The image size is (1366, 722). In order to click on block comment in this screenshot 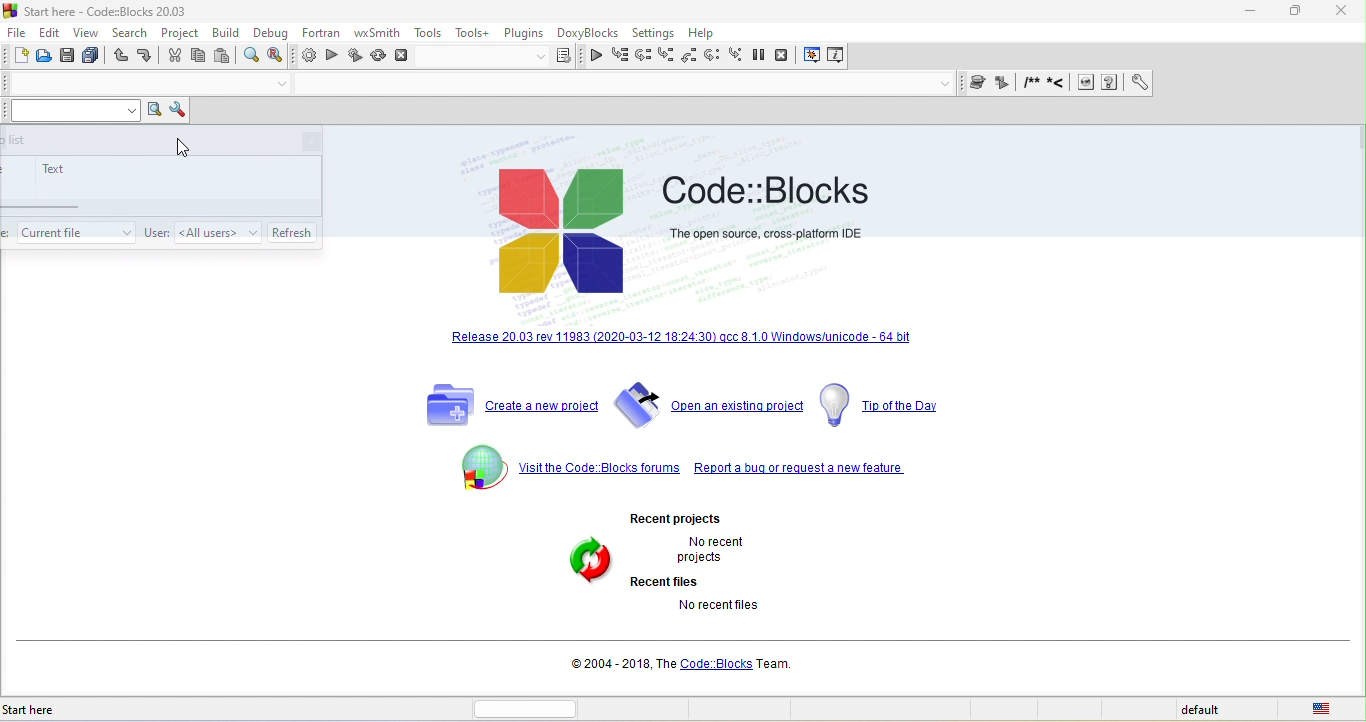, I will do `click(1032, 83)`.